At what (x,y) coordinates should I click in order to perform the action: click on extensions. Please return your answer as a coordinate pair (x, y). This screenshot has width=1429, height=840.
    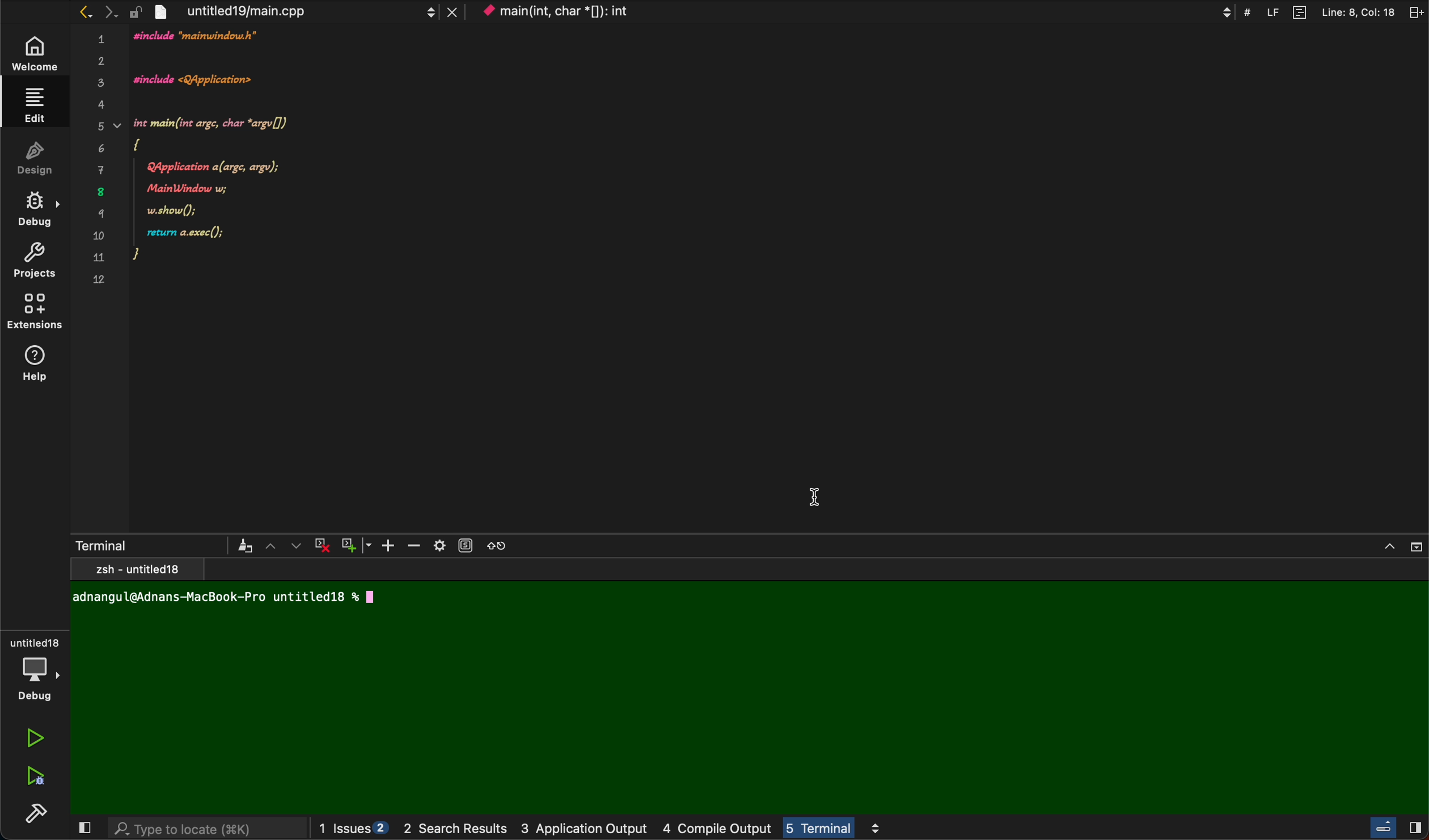
    Looking at the image, I should click on (36, 315).